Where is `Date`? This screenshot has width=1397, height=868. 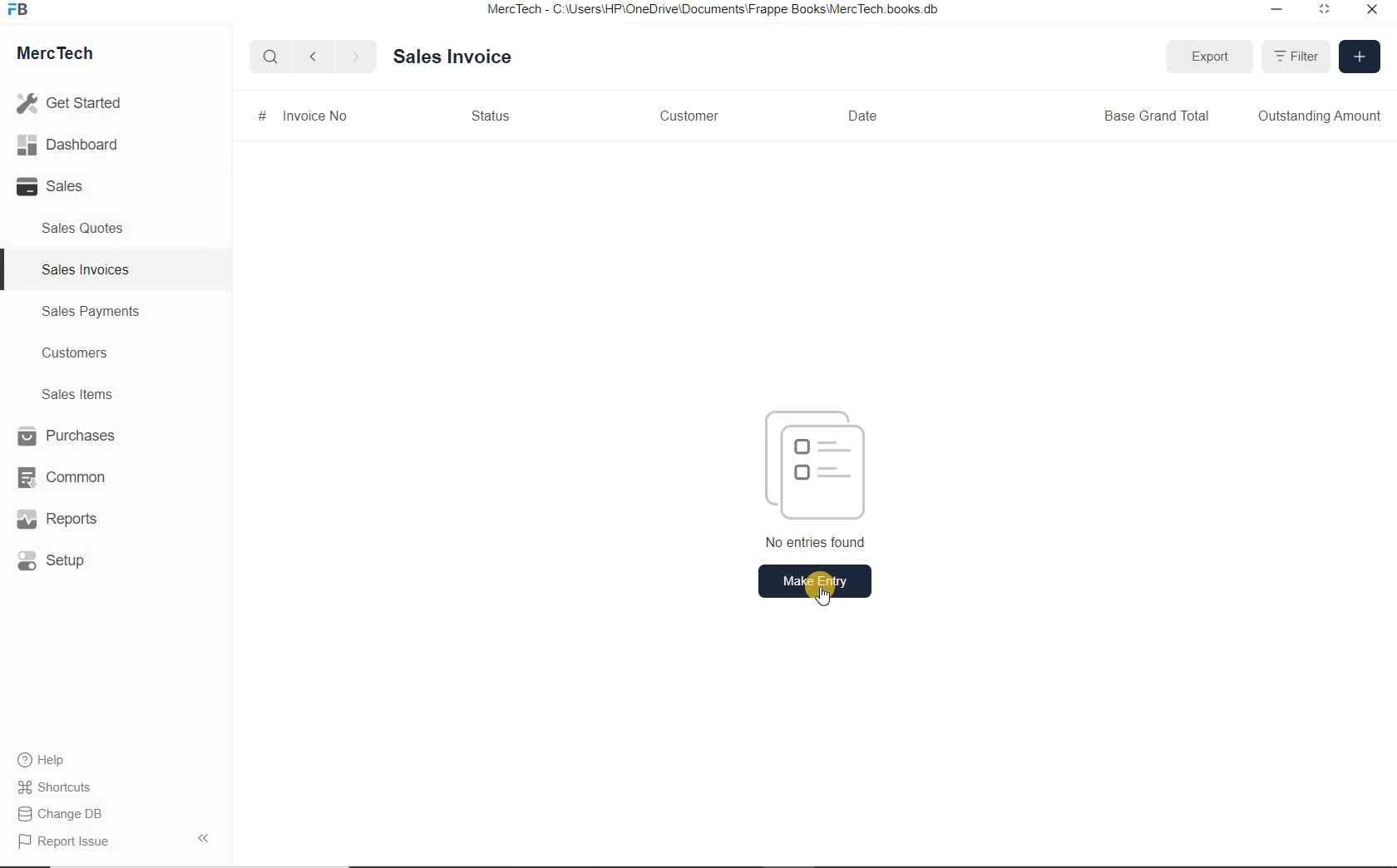
Date is located at coordinates (867, 116).